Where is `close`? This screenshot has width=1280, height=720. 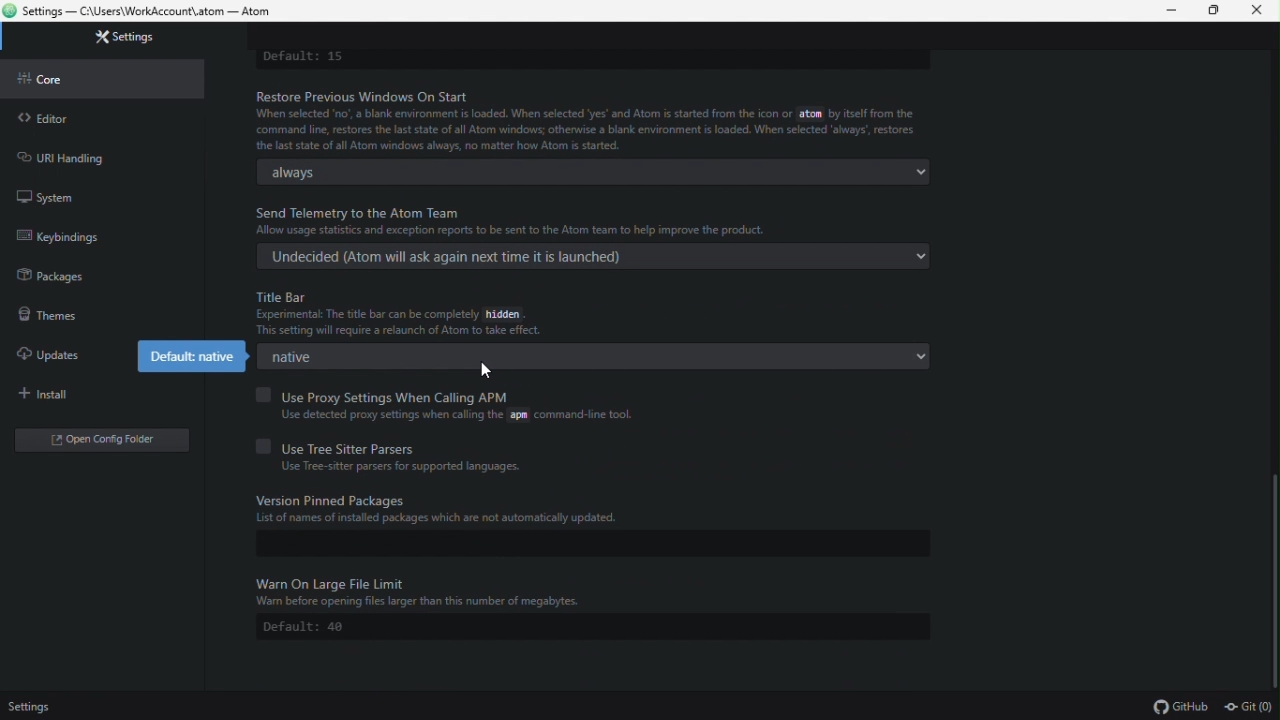 close is located at coordinates (1258, 11).